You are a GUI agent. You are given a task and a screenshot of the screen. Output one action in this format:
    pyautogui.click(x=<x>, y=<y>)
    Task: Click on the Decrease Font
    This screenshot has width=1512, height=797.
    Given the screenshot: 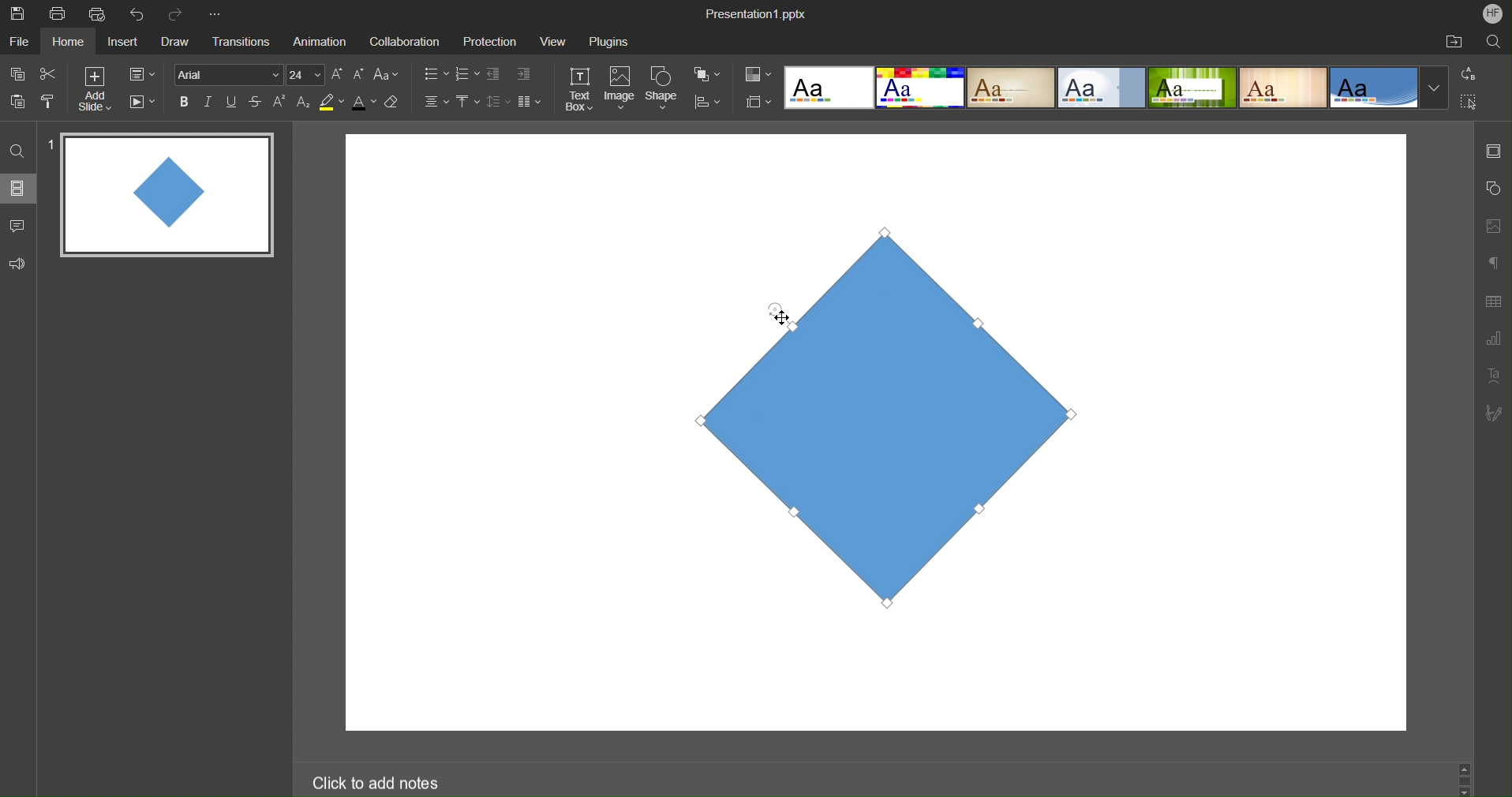 What is the action you would take?
    pyautogui.click(x=358, y=76)
    